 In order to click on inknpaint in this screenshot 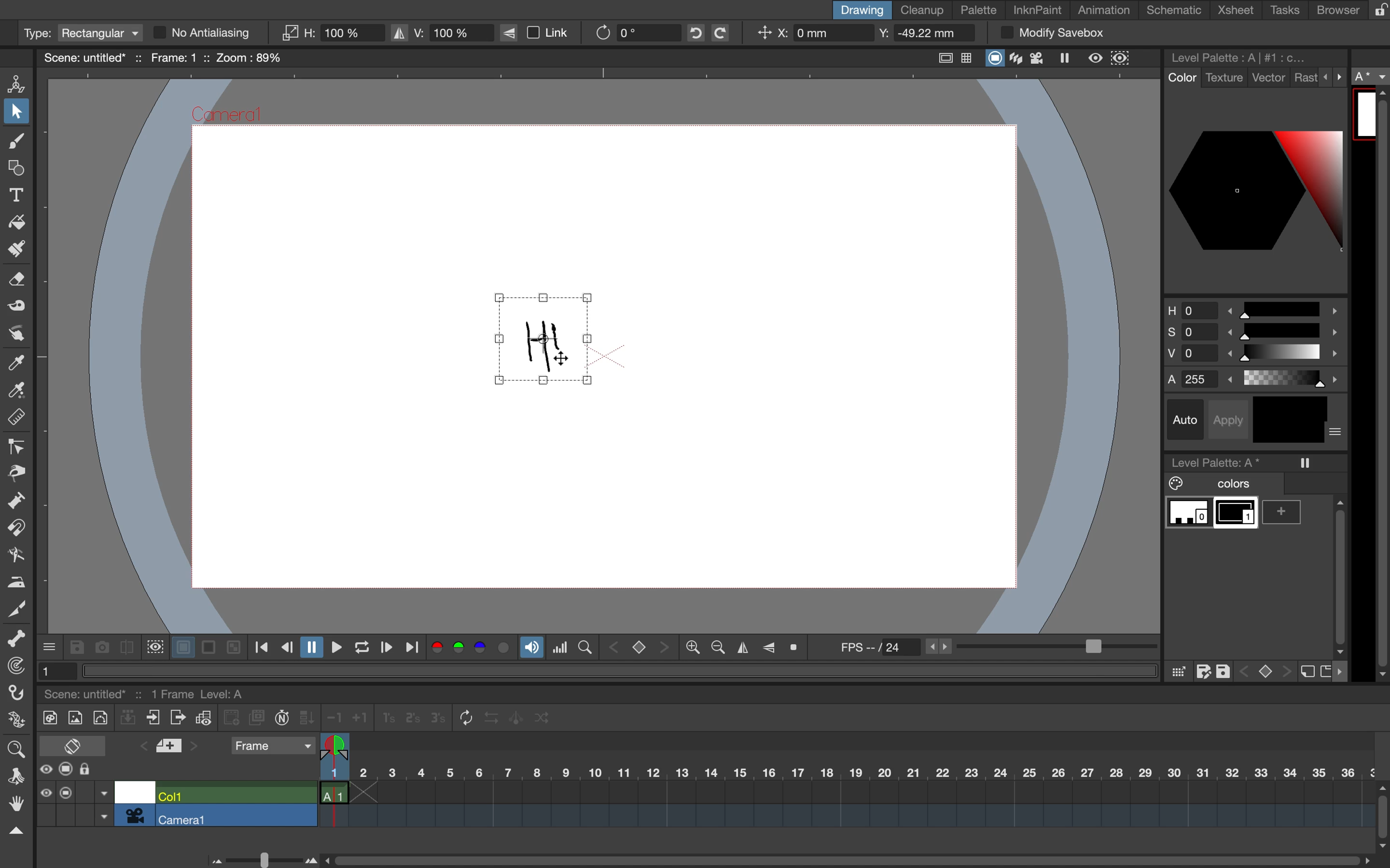, I will do `click(1037, 9)`.